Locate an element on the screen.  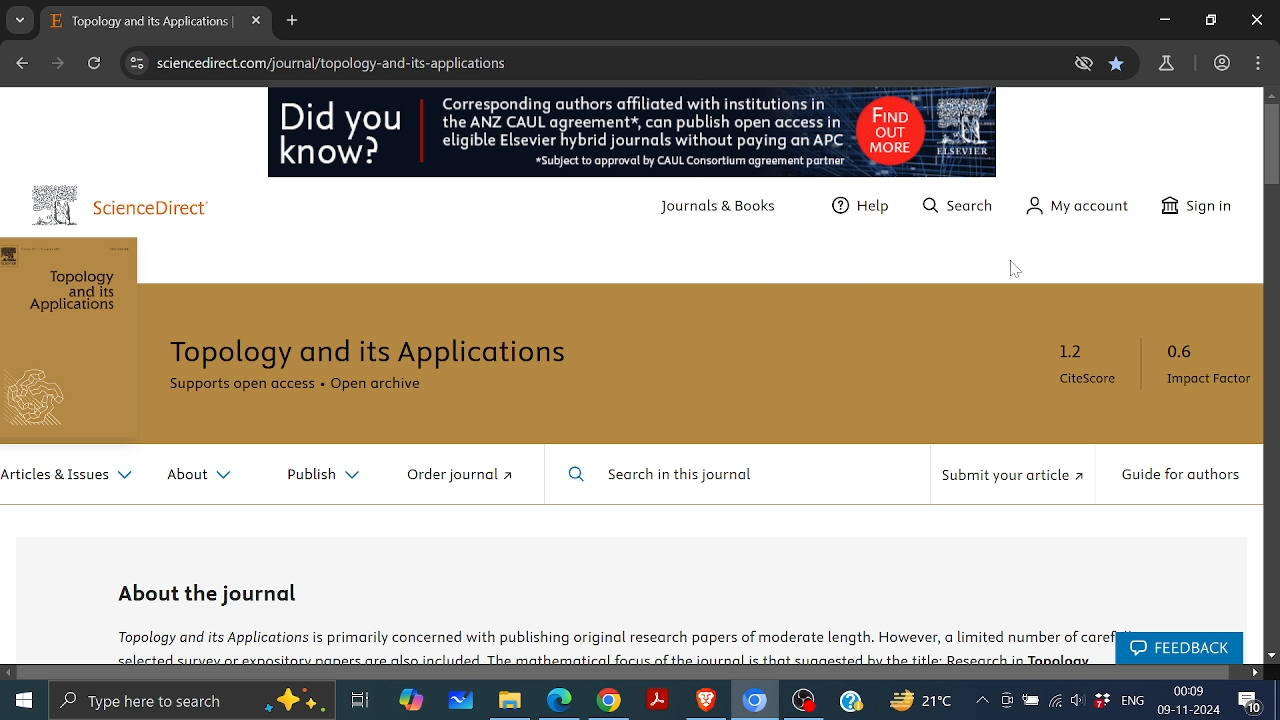
Task View is located at coordinates (358, 699).